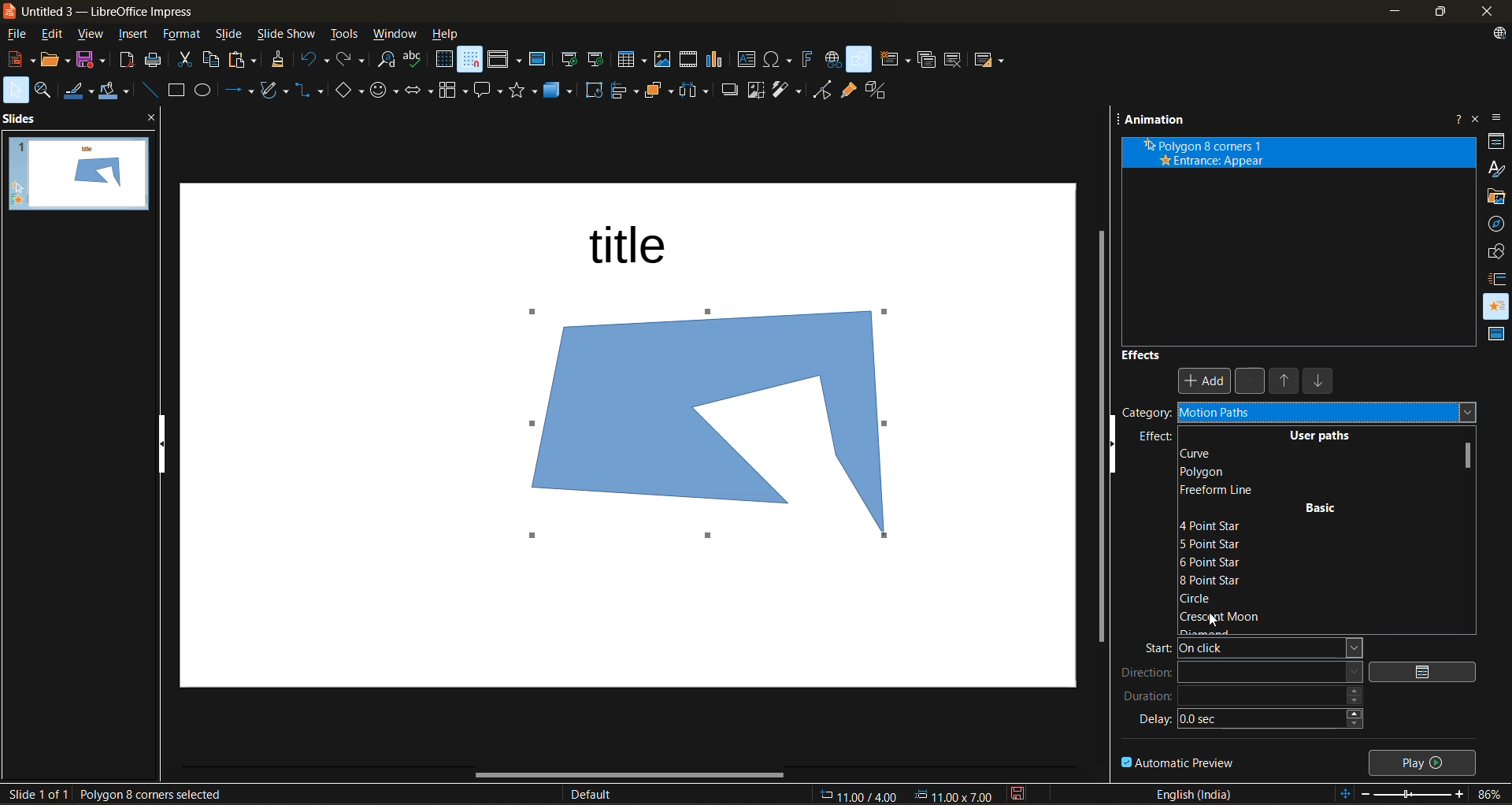 The width and height of the screenshot is (1512, 805). What do you see at coordinates (1302, 152) in the screenshot?
I see `animation effect` at bounding box center [1302, 152].